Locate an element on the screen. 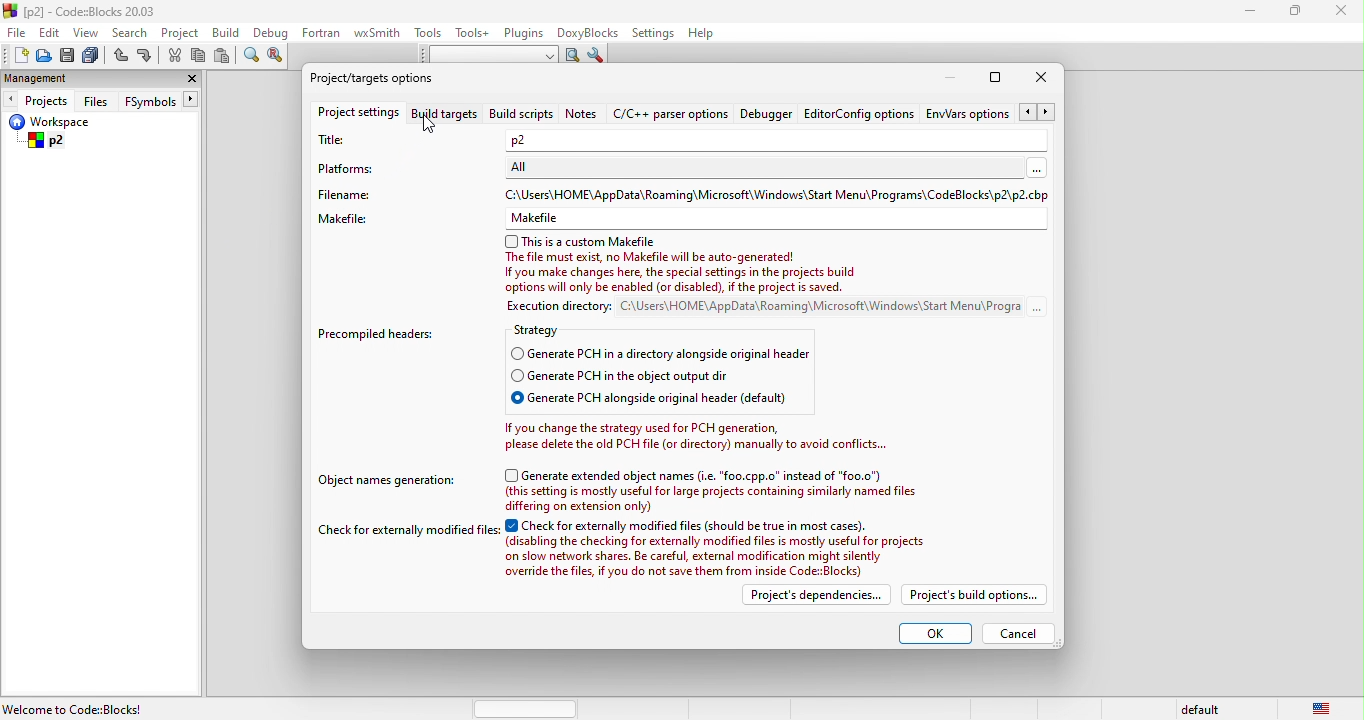 This screenshot has height=720, width=1364. help is located at coordinates (701, 35).